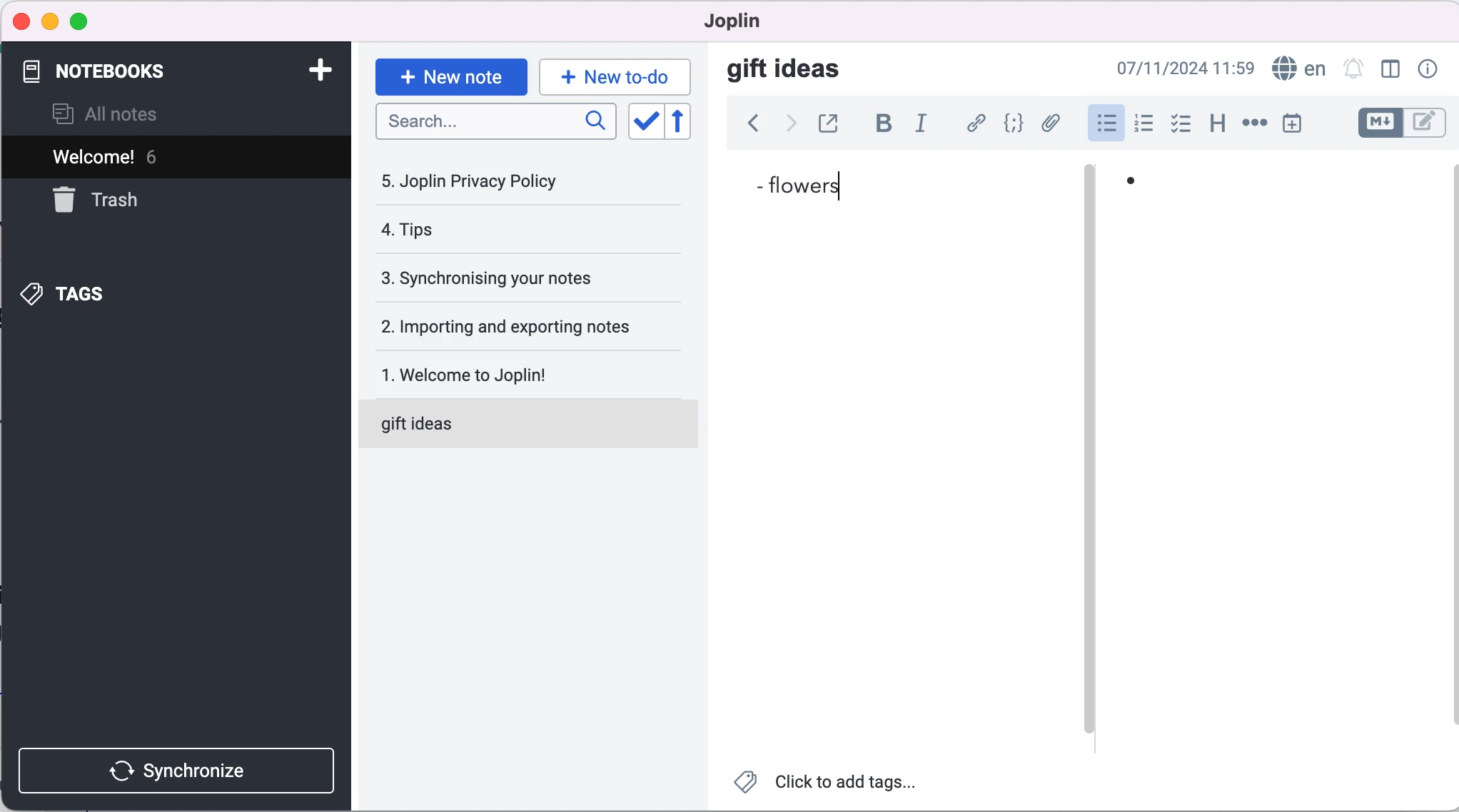 The image size is (1459, 812). Describe the element at coordinates (1131, 191) in the screenshot. I see `bullet 1` at that location.